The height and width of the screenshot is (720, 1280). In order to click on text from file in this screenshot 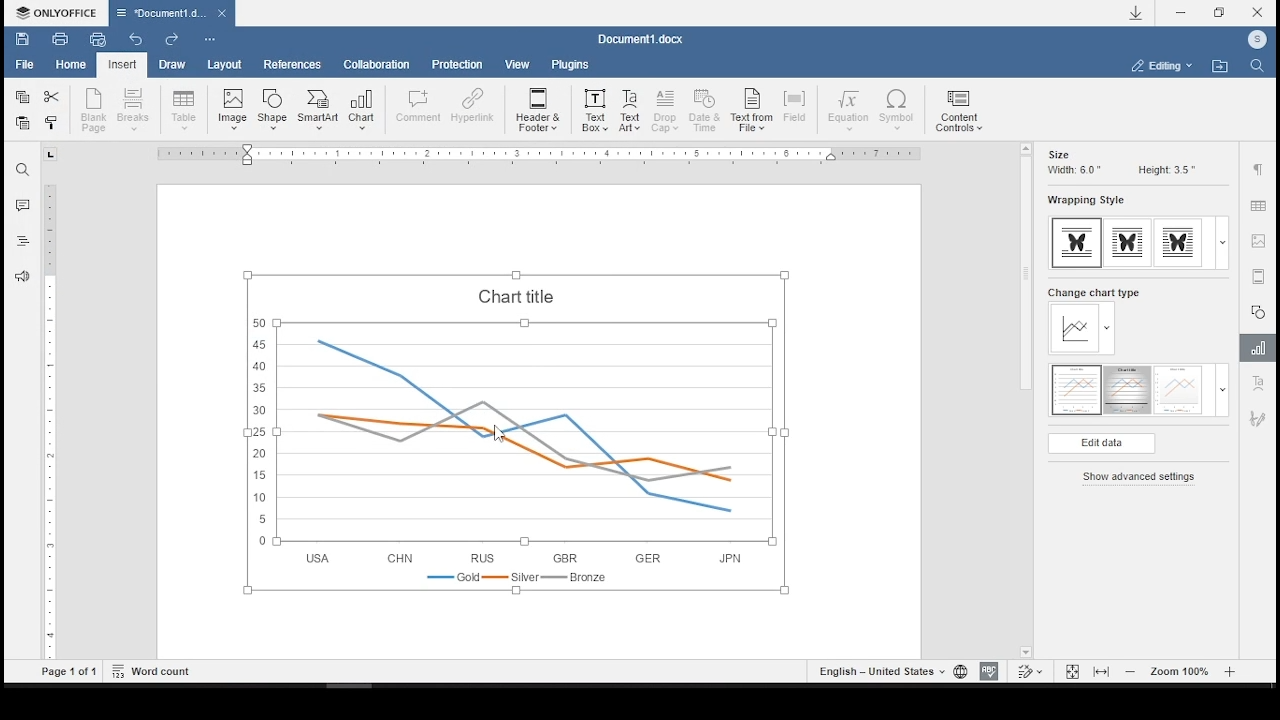, I will do `click(751, 111)`.